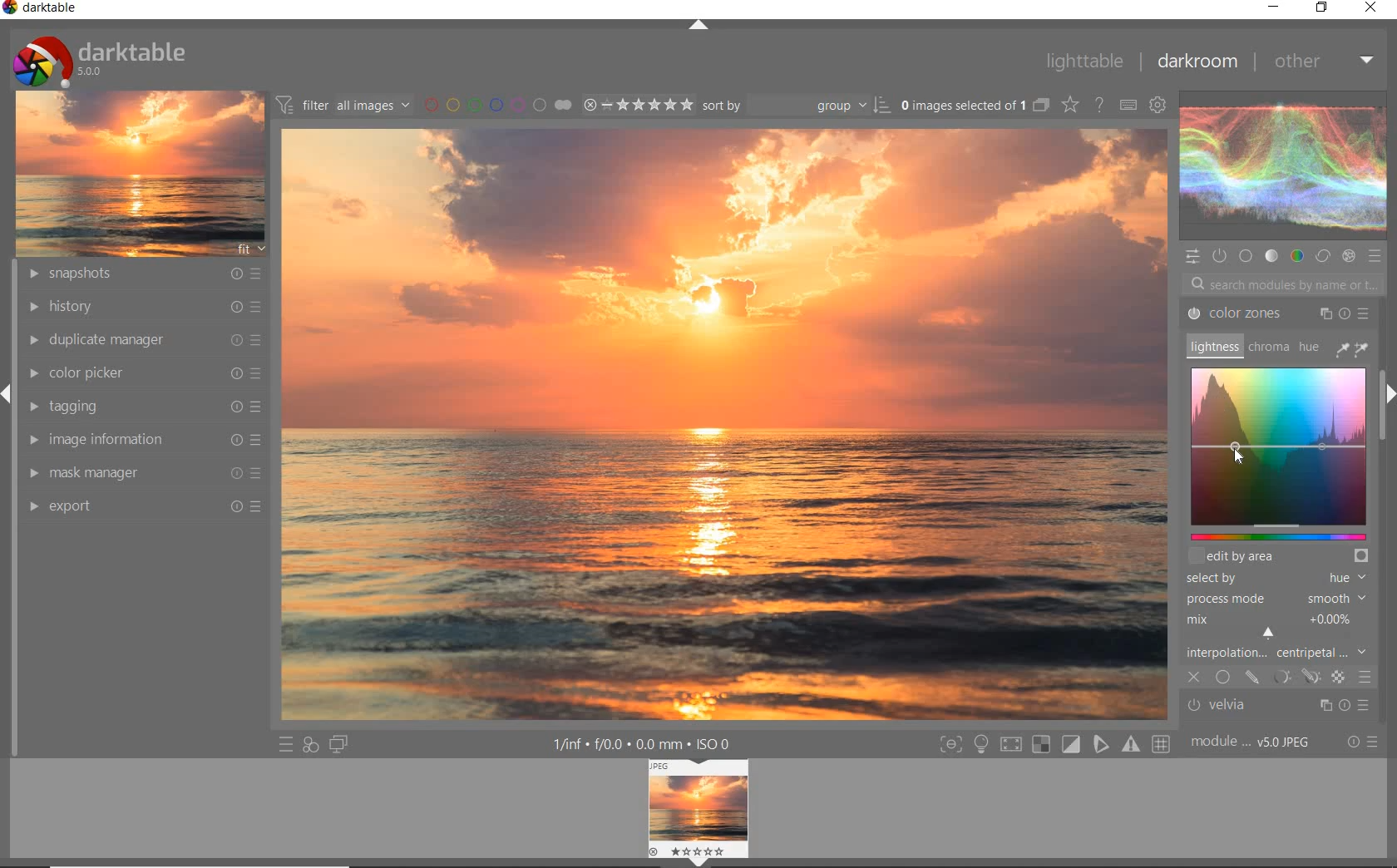 Image resolution: width=1397 pixels, height=868 pixels. Describe the element at coordinates (1102, 104) in the screenshot. I see `ENABLE FOR ONLINE HELP` at that location.